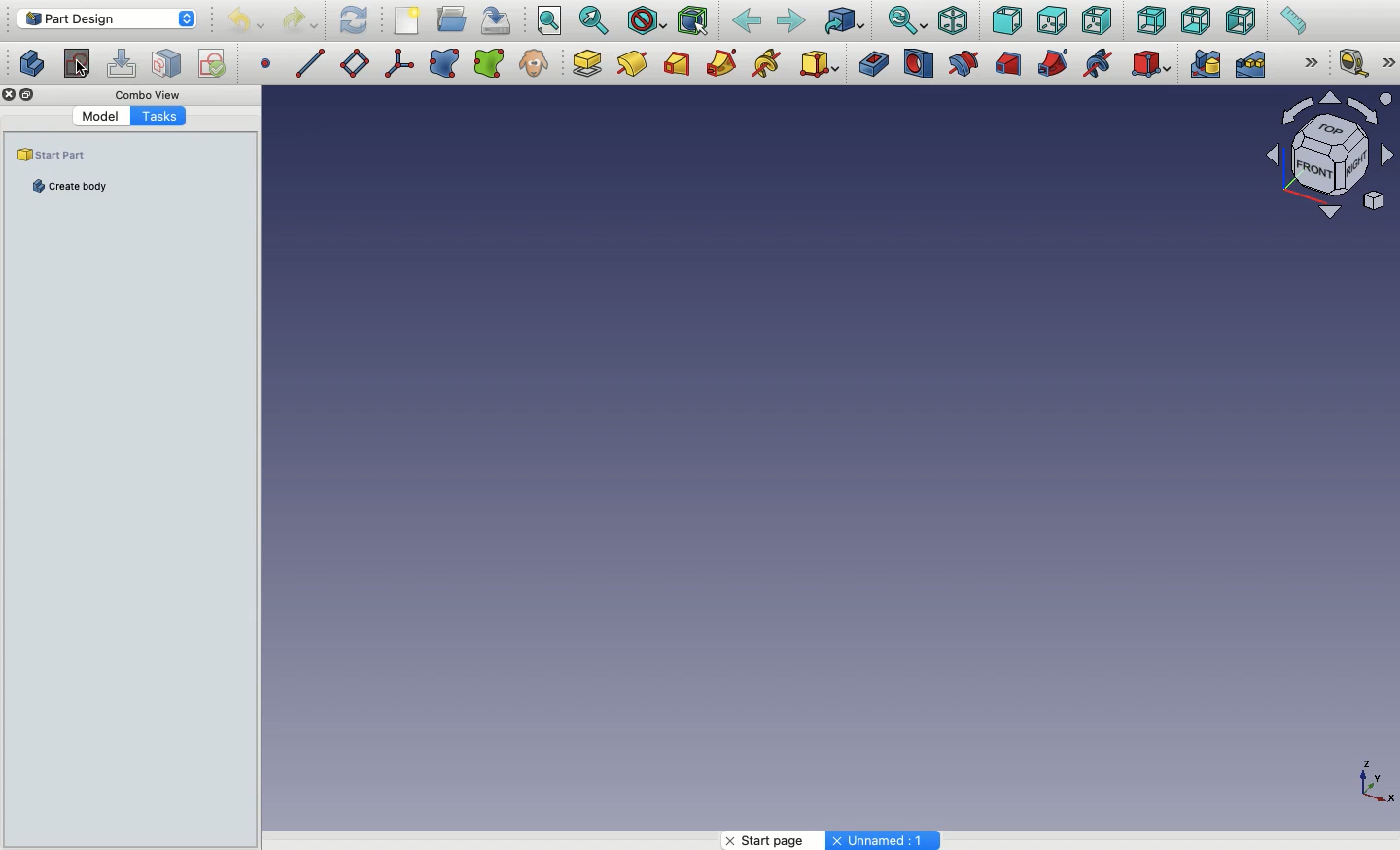 The width and height of the screenshot is (1400, 850). What do you see at coordinates (1313, 62) in the screenshot?
I see `Expand` at bounding box center [1313, 62].